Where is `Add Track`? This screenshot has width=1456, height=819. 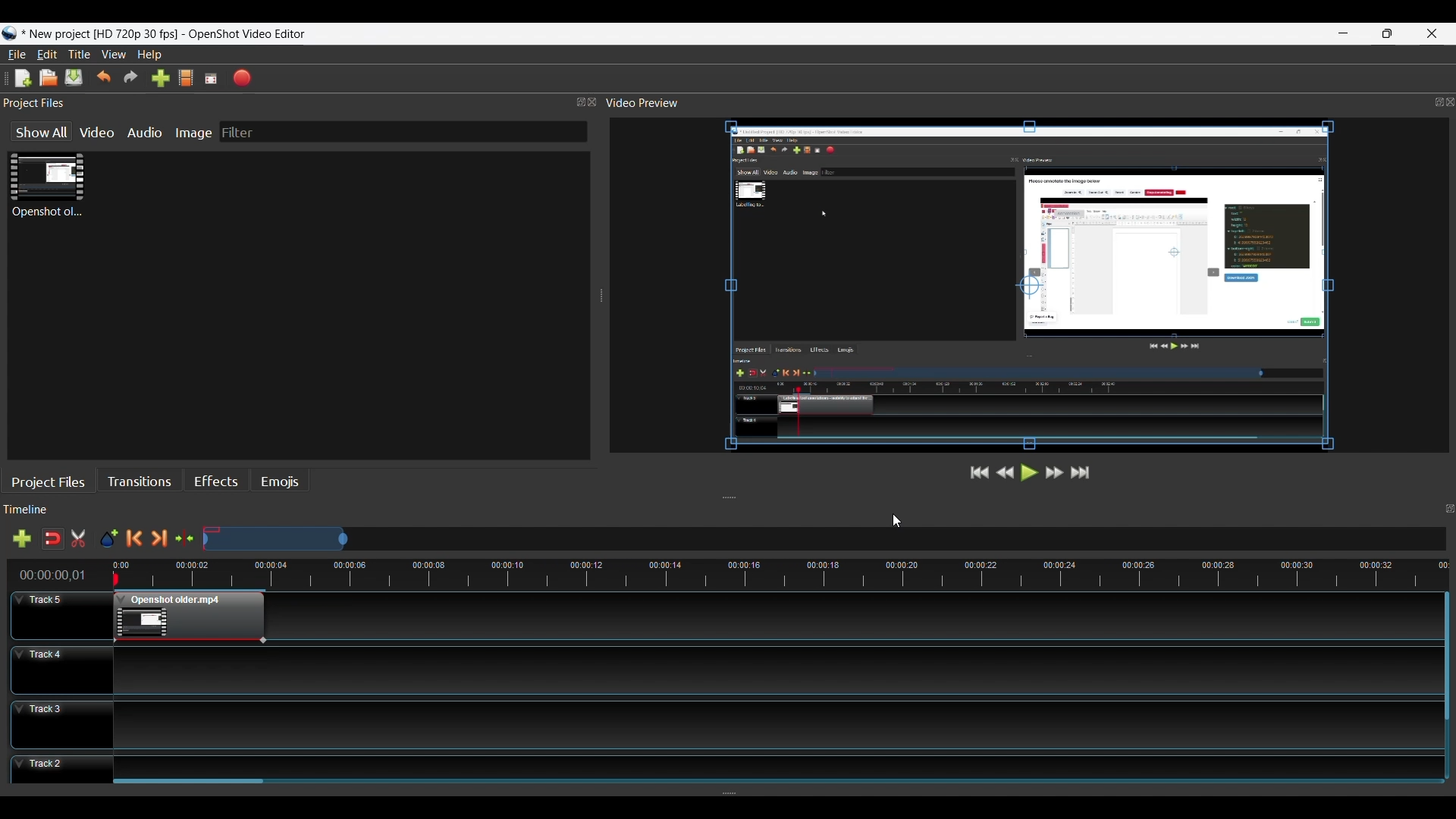 Add Track is located at coordinates (22, 538).